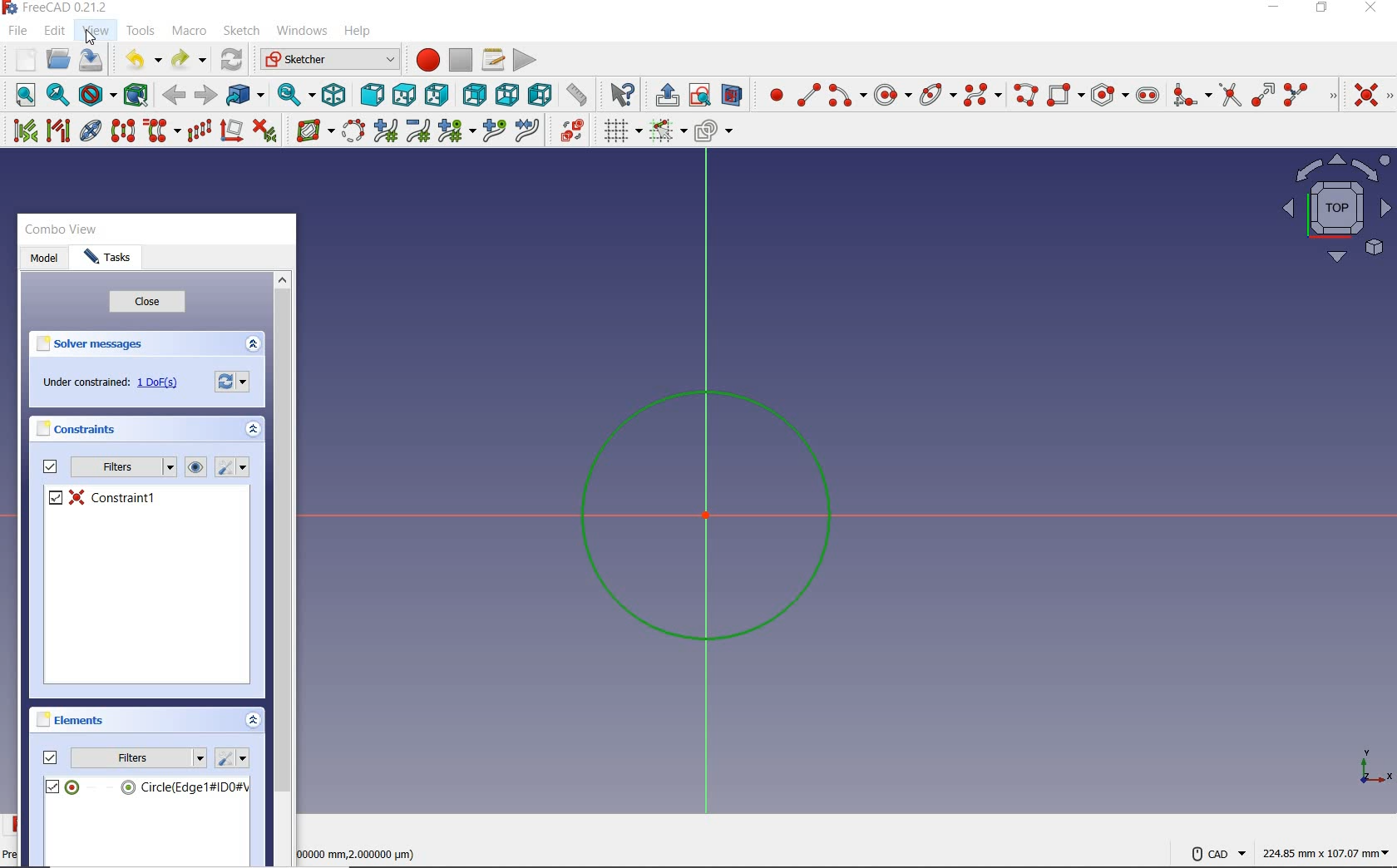  I want to click on circle(edge), so click(146, 786).